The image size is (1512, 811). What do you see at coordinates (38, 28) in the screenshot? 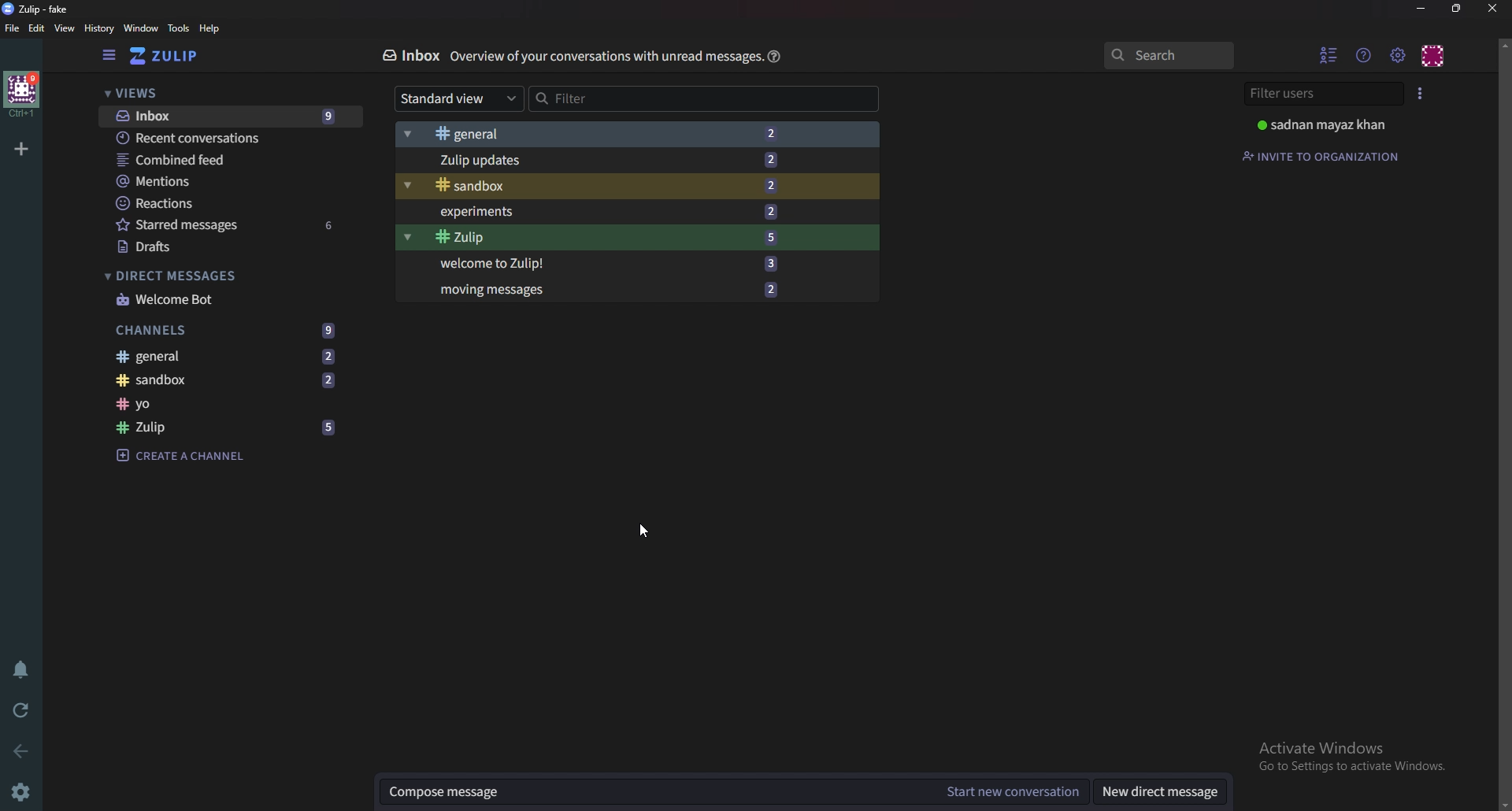
I see `Edit` at bounding box center [38, 28].